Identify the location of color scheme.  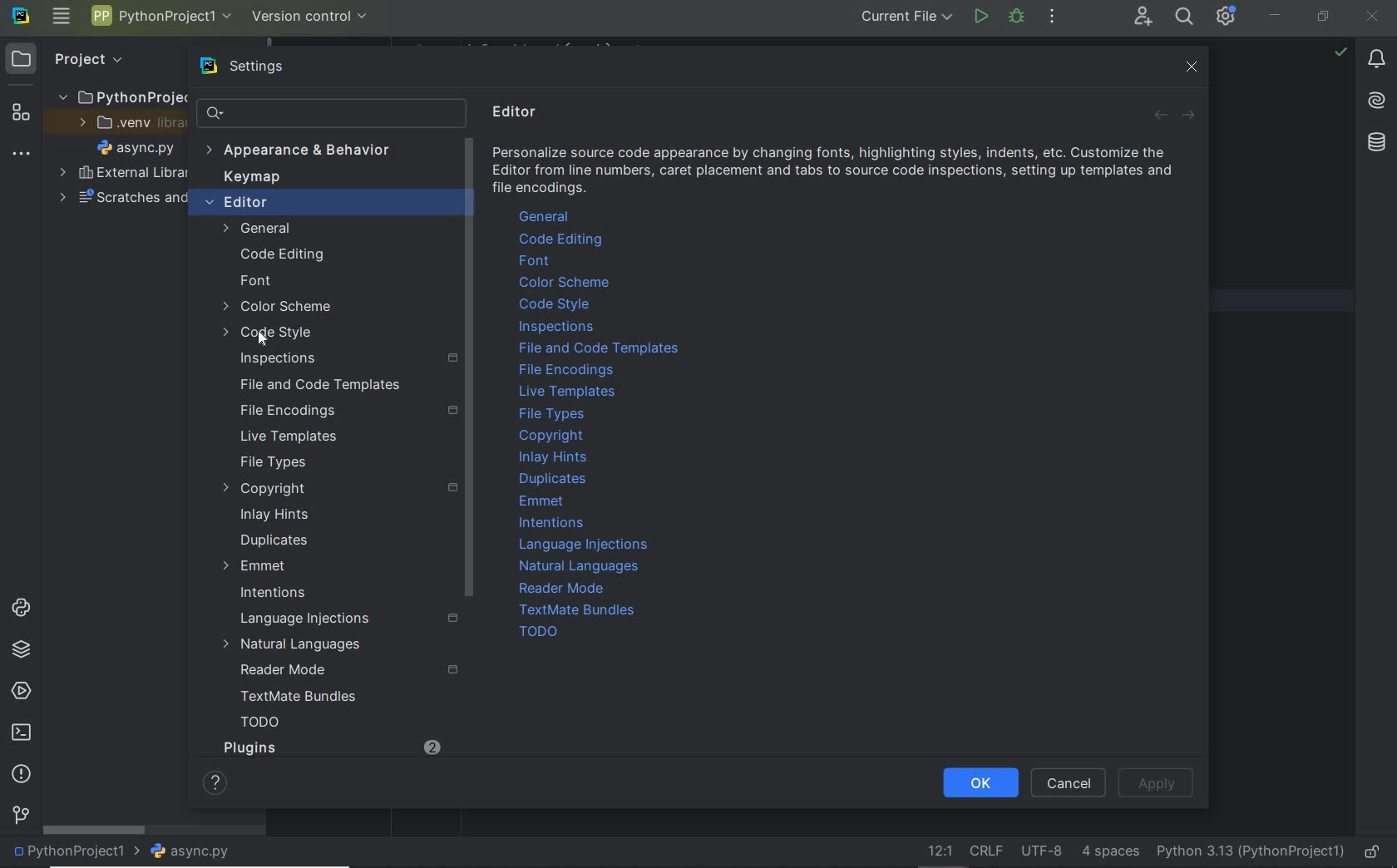
(279, 308).